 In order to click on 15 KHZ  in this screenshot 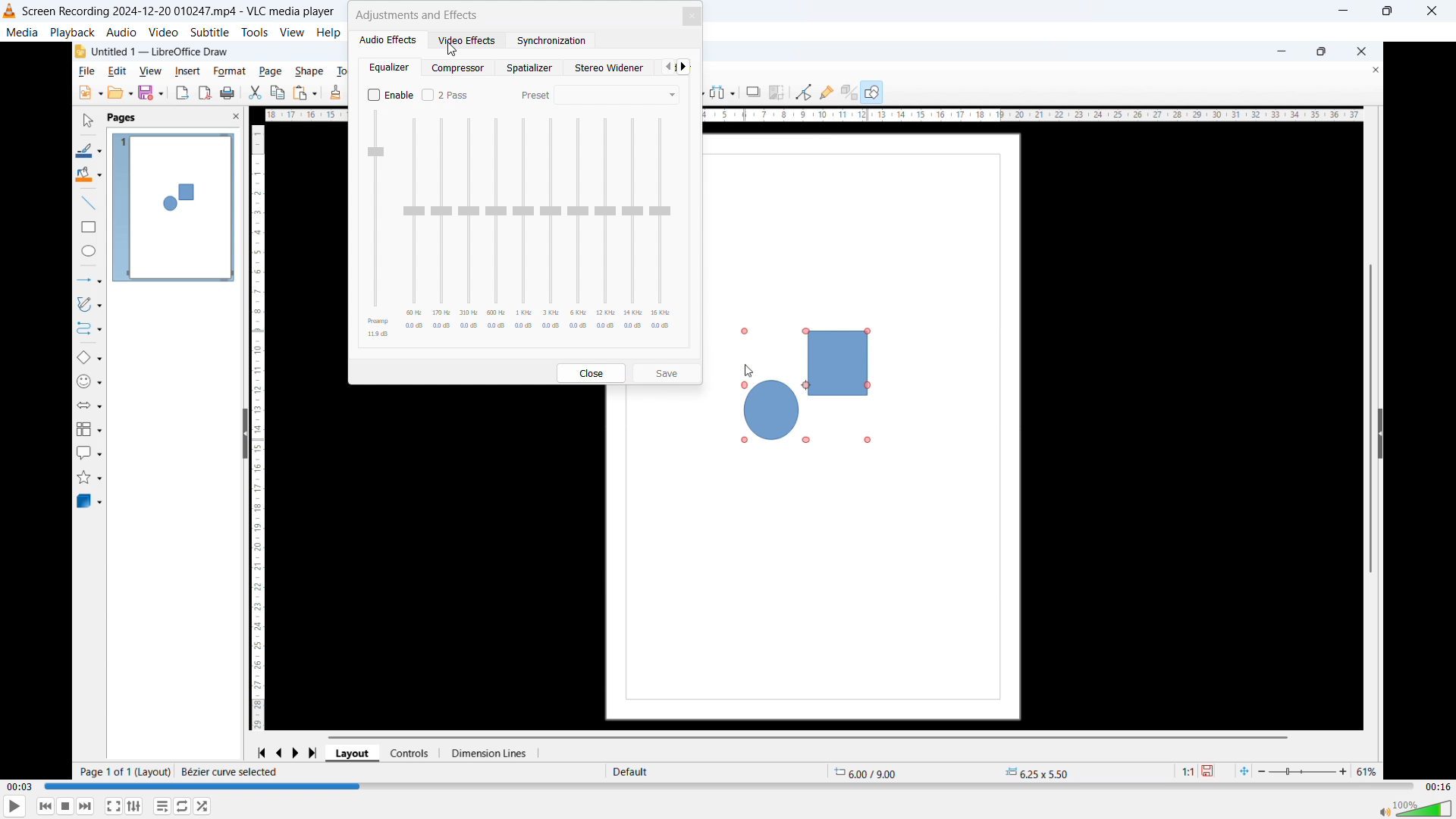, I will do `click(660, 227)`.